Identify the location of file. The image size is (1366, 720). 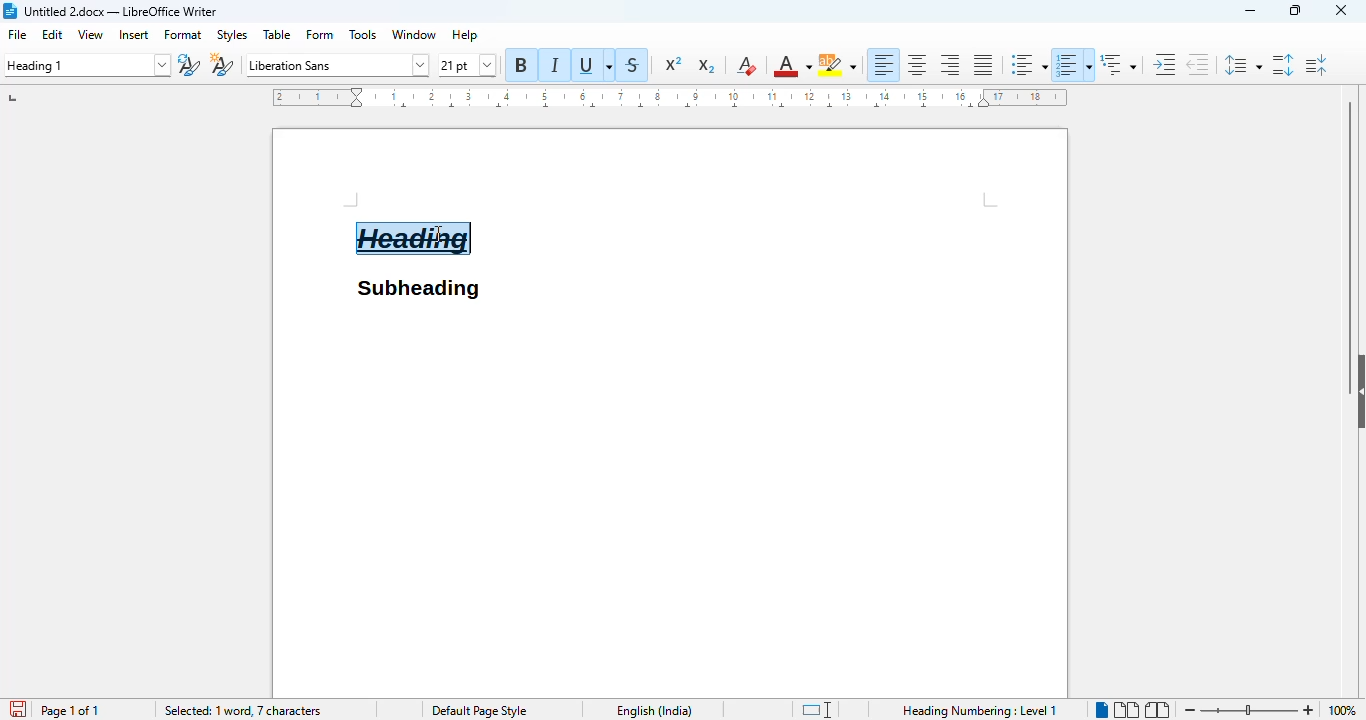
(19, 35).